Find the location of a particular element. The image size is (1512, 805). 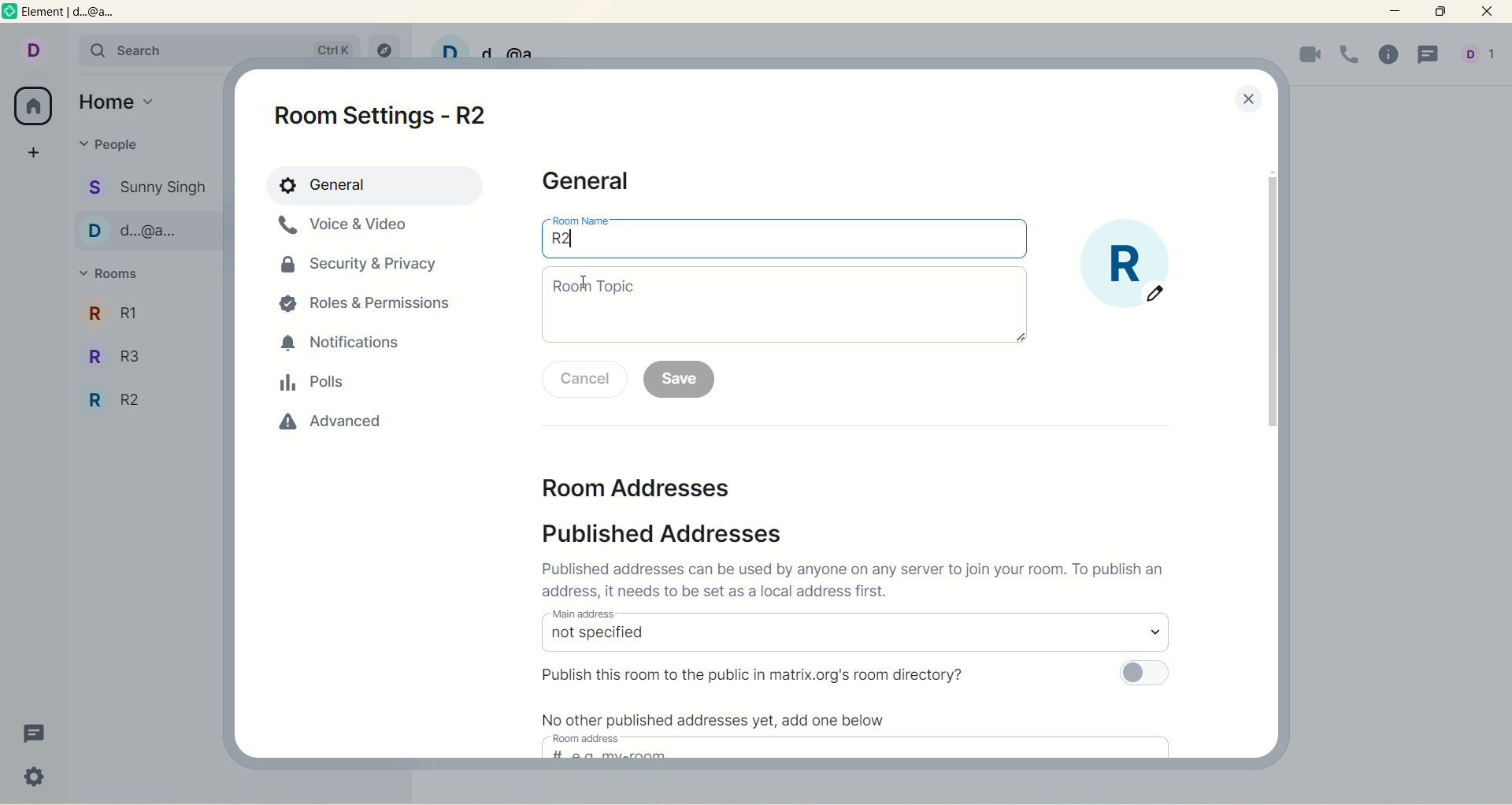

voice & video is located at coordinates (350, 232).